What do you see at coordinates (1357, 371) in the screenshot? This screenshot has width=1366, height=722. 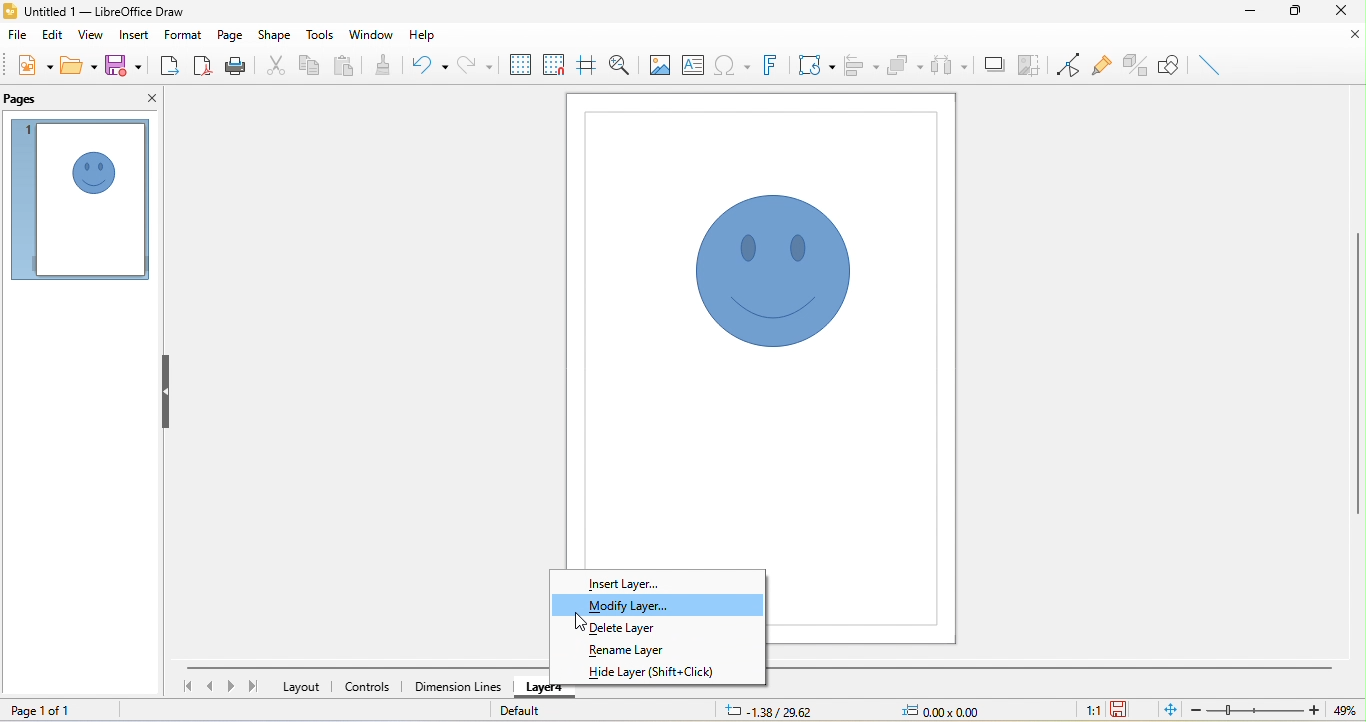 I see ` vertical scroll bar` at bounding box center [1357, 371].